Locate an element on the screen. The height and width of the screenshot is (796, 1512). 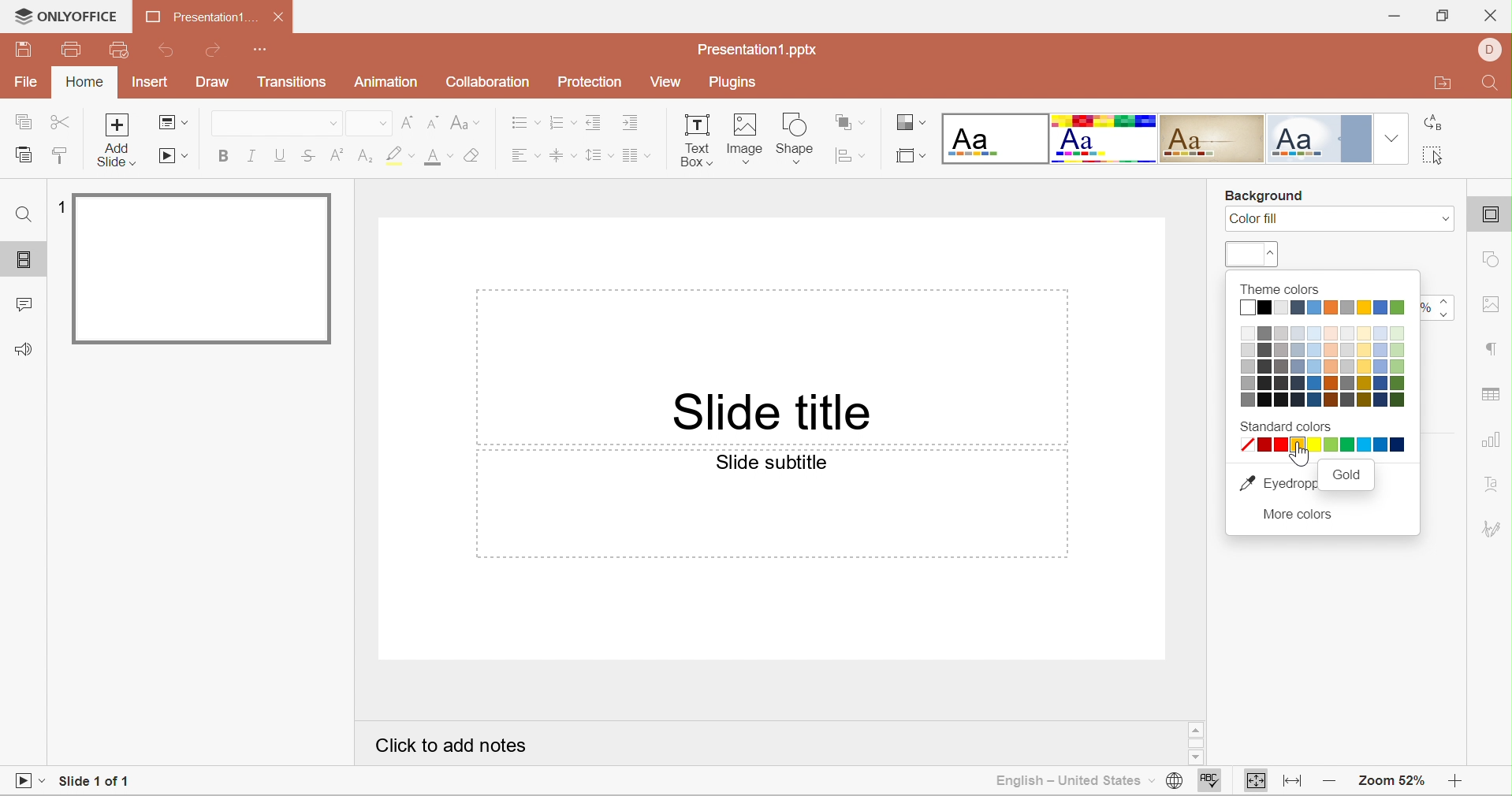
Minimize is located at coordinates (1394, 17).